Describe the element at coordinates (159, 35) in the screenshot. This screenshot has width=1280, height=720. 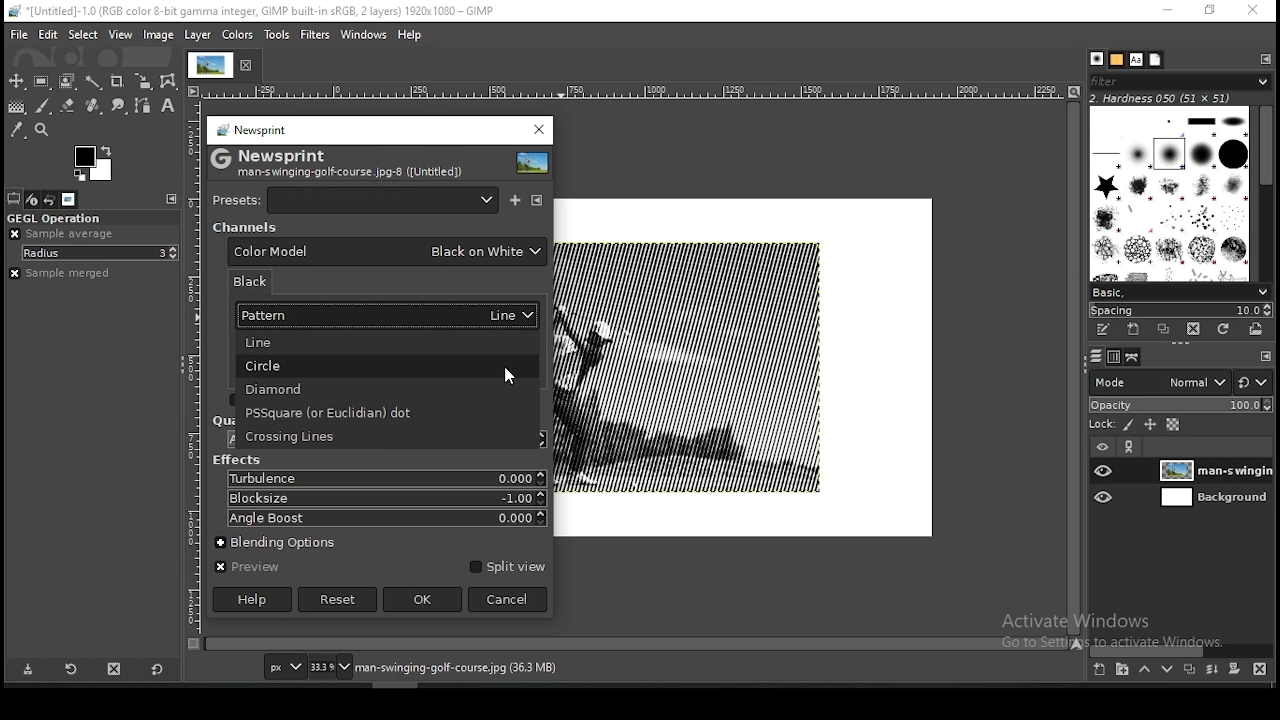
I see `image` at that location.